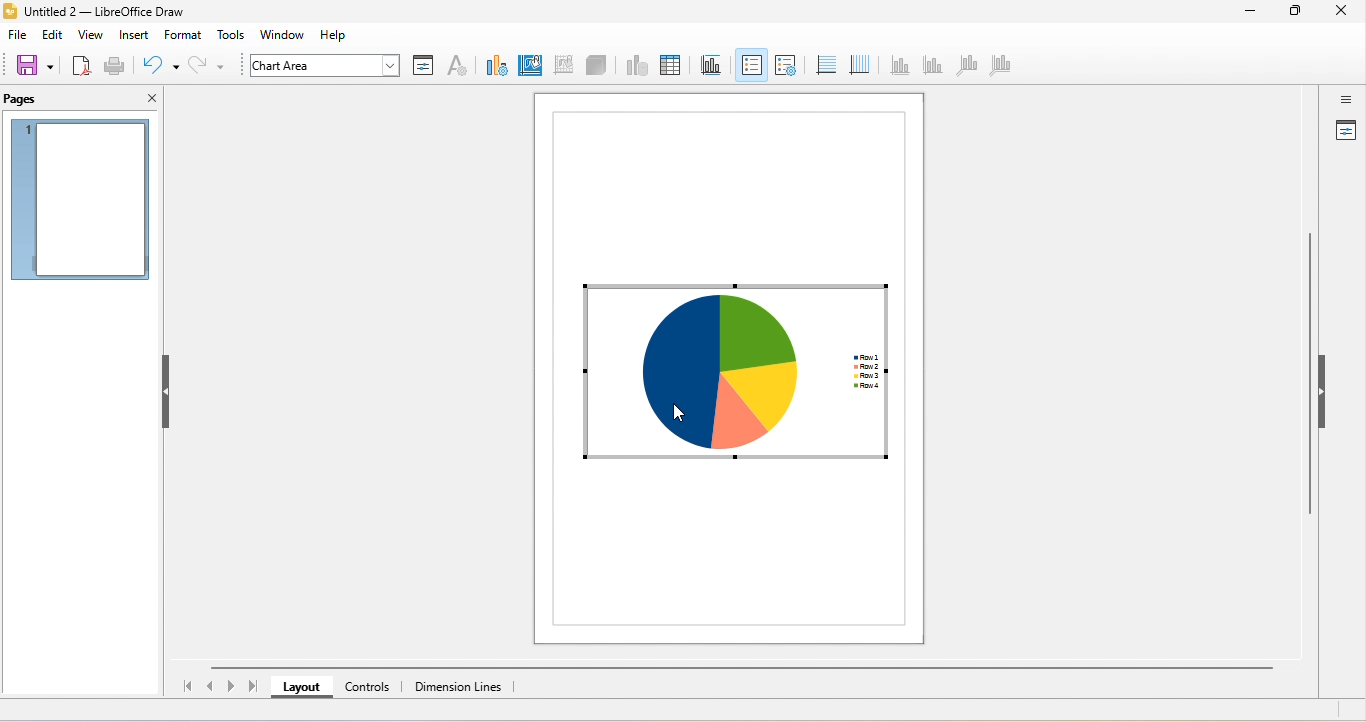 This screenshot has height=722, width=1366. Describe the element at coordinates (1249, 13) in the screenshot. I see `minimize` at that location.